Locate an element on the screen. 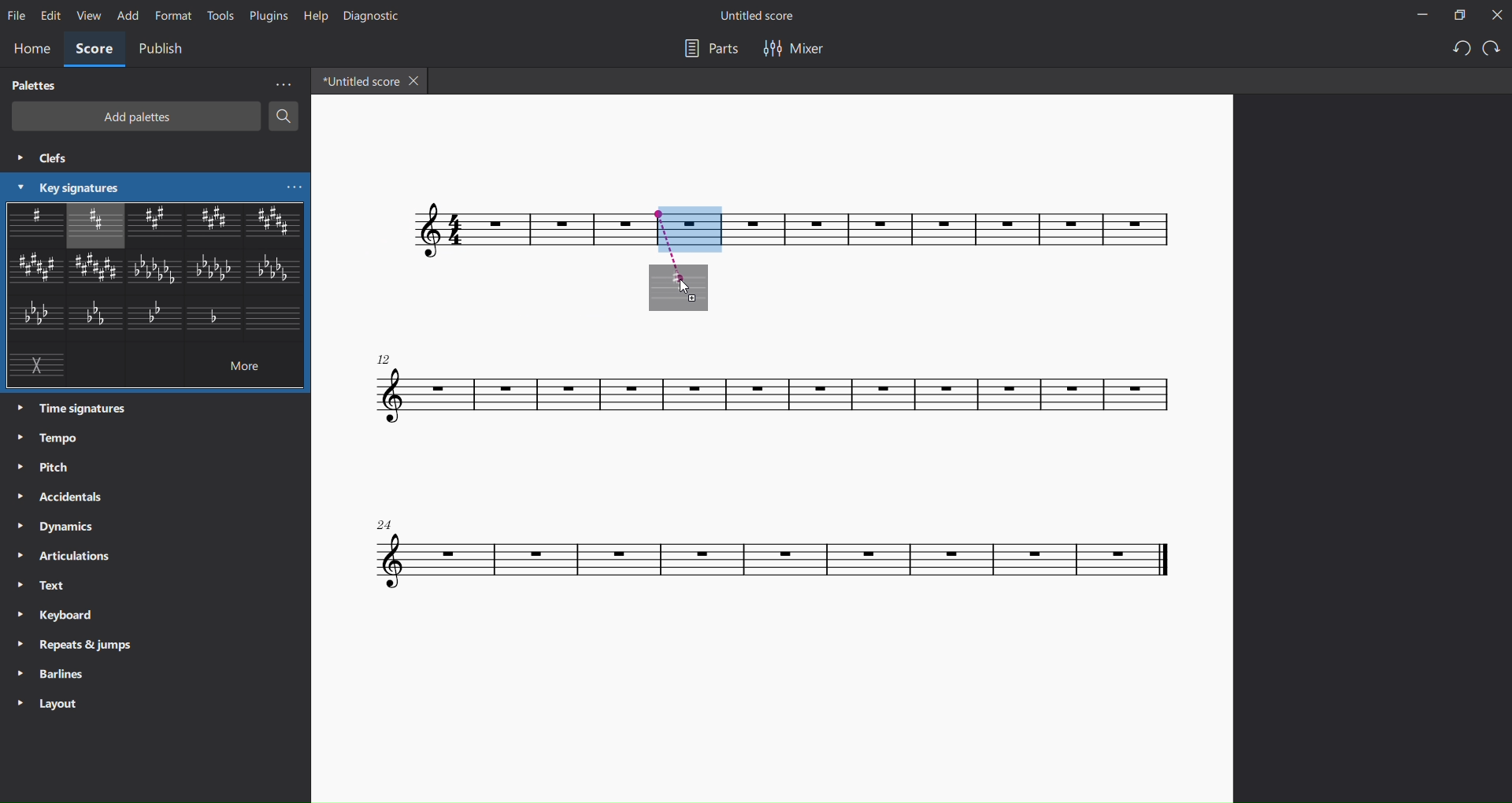 The width and height of the screenshot is (1512, 803). palettes is located at coordinates (31, 85).